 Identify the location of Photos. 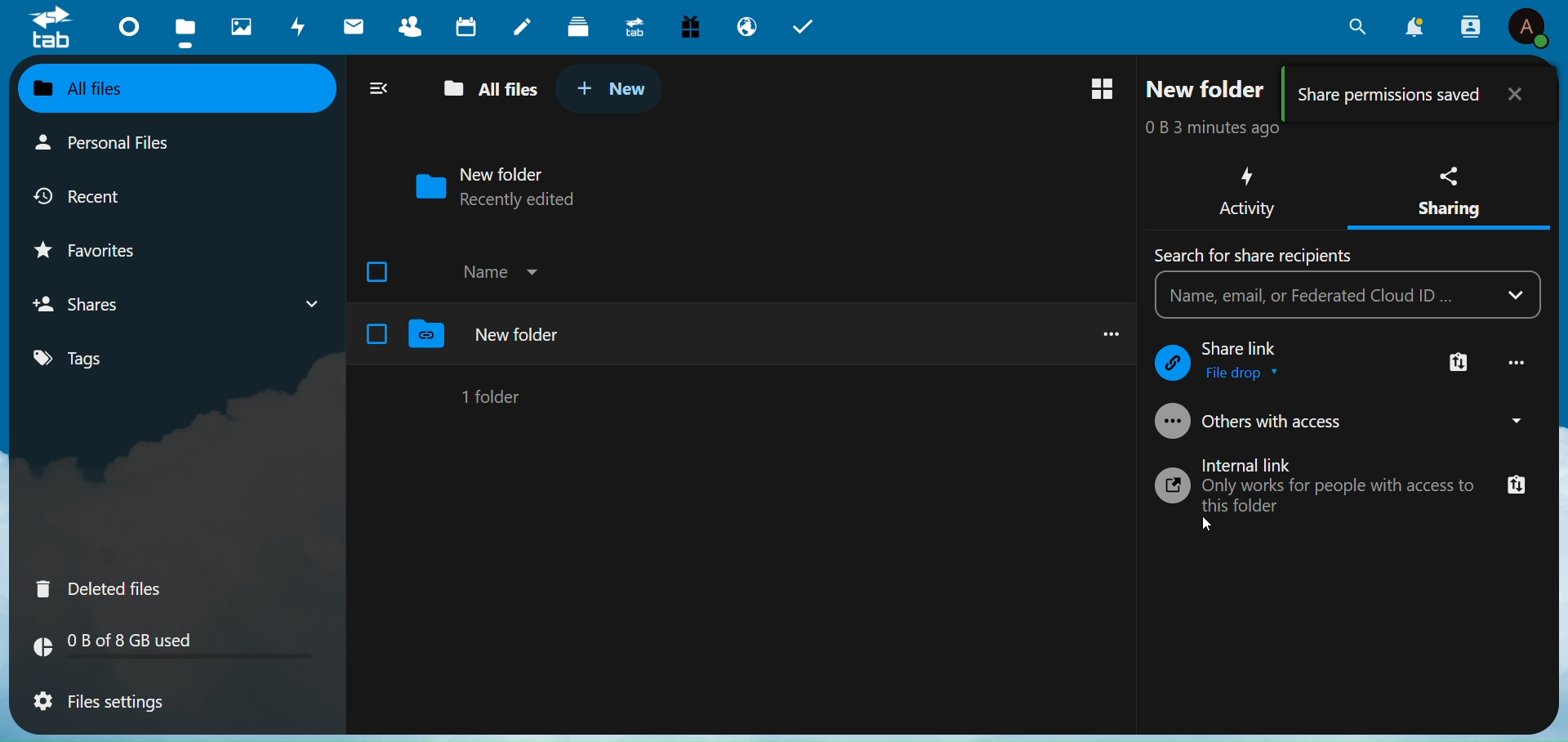
(236, 23).